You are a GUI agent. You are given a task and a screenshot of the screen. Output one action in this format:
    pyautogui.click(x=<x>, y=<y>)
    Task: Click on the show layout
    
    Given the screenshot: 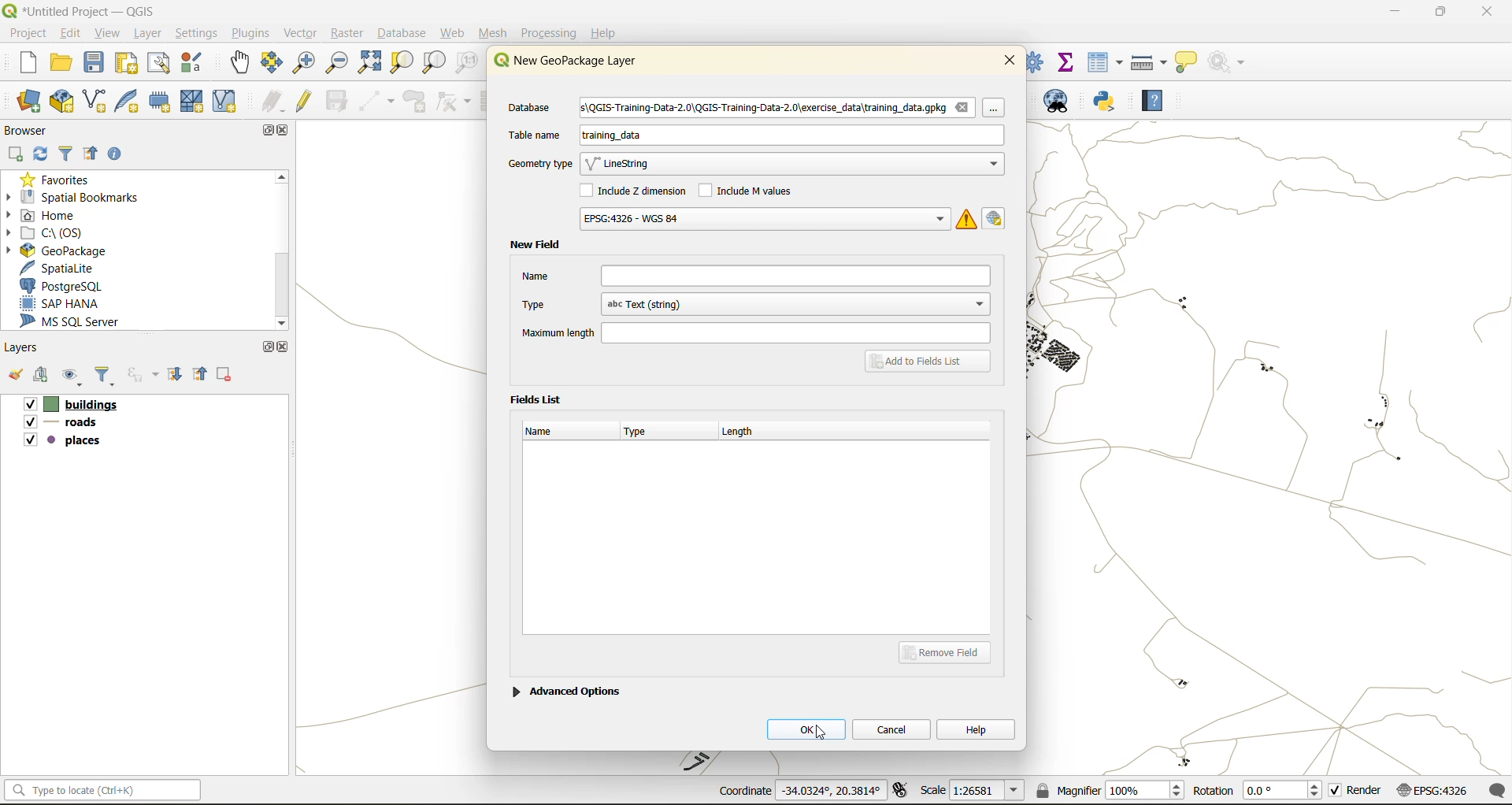 What is the action you would take?
    pyautogui.click(x=160, y=63)
    